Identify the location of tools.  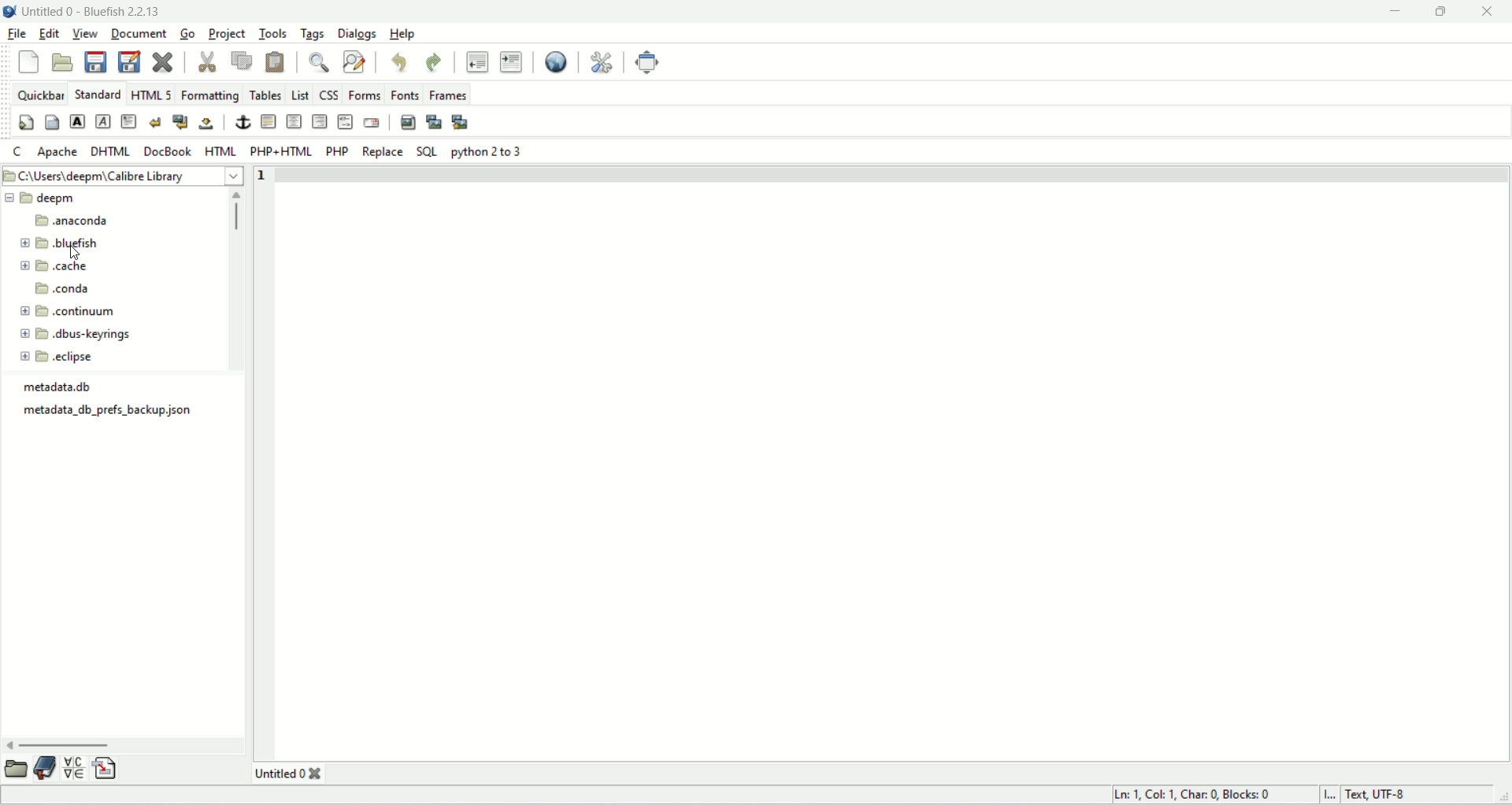
(272, 35).